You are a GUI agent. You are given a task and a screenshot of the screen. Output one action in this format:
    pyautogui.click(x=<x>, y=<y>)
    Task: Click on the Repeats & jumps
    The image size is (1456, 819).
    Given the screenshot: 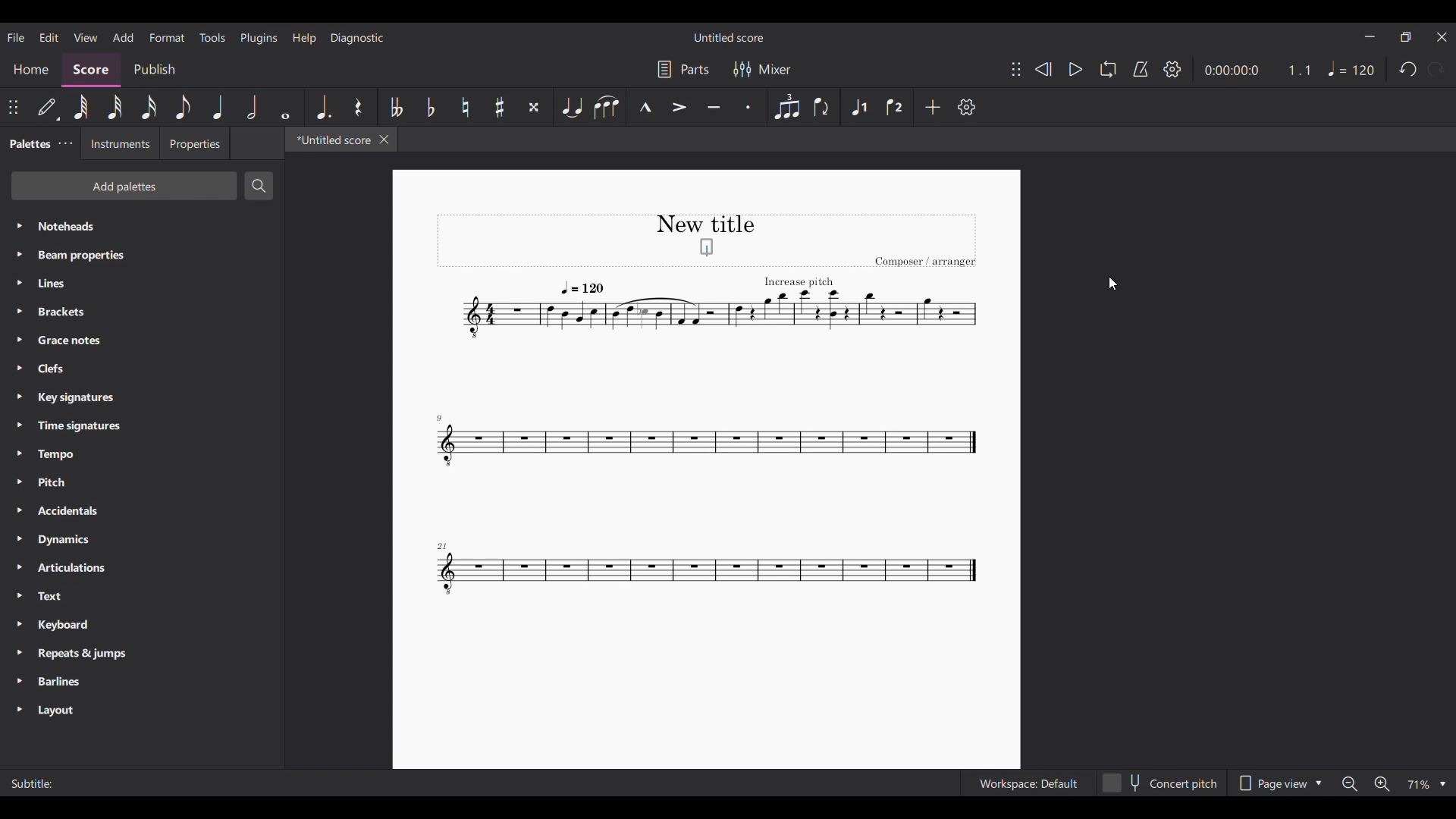 What is the action you would take?
    pyautogui.click(x=141, y=654)
    